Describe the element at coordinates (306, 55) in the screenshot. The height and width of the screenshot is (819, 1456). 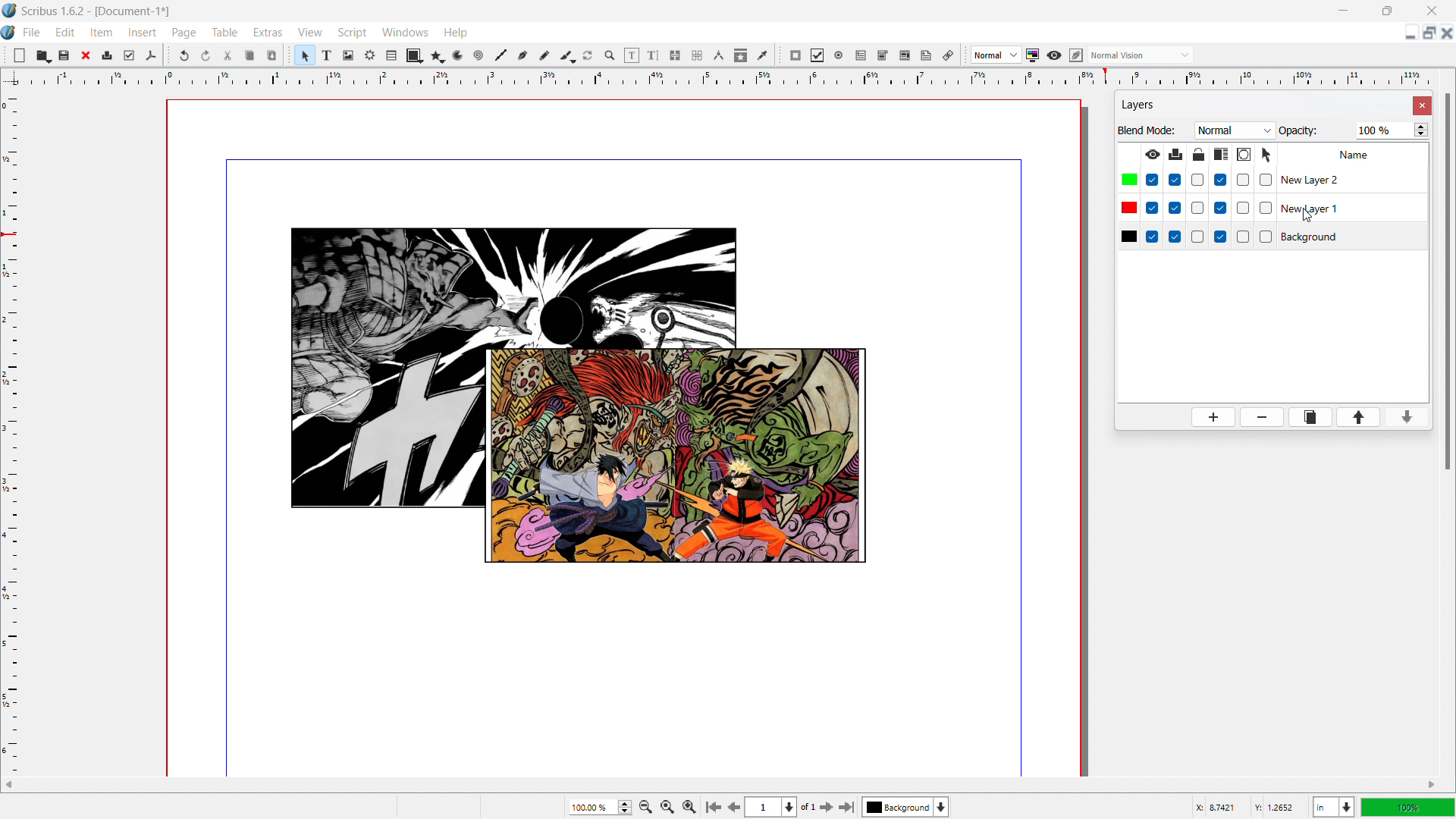
I see `select items` at that location.